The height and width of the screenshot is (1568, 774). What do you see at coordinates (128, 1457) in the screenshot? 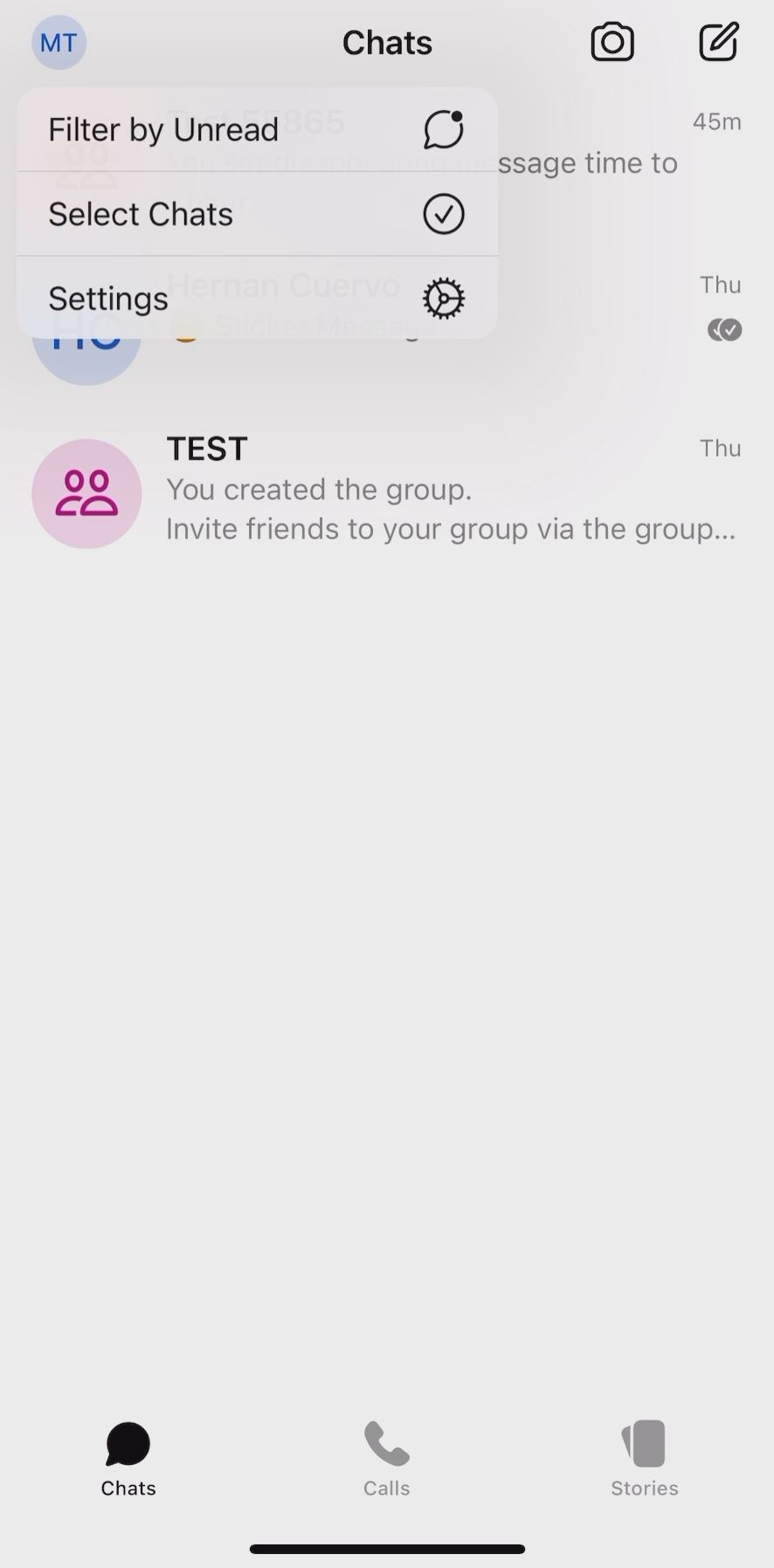
I see `chats` at bounding box center [128, 1457].